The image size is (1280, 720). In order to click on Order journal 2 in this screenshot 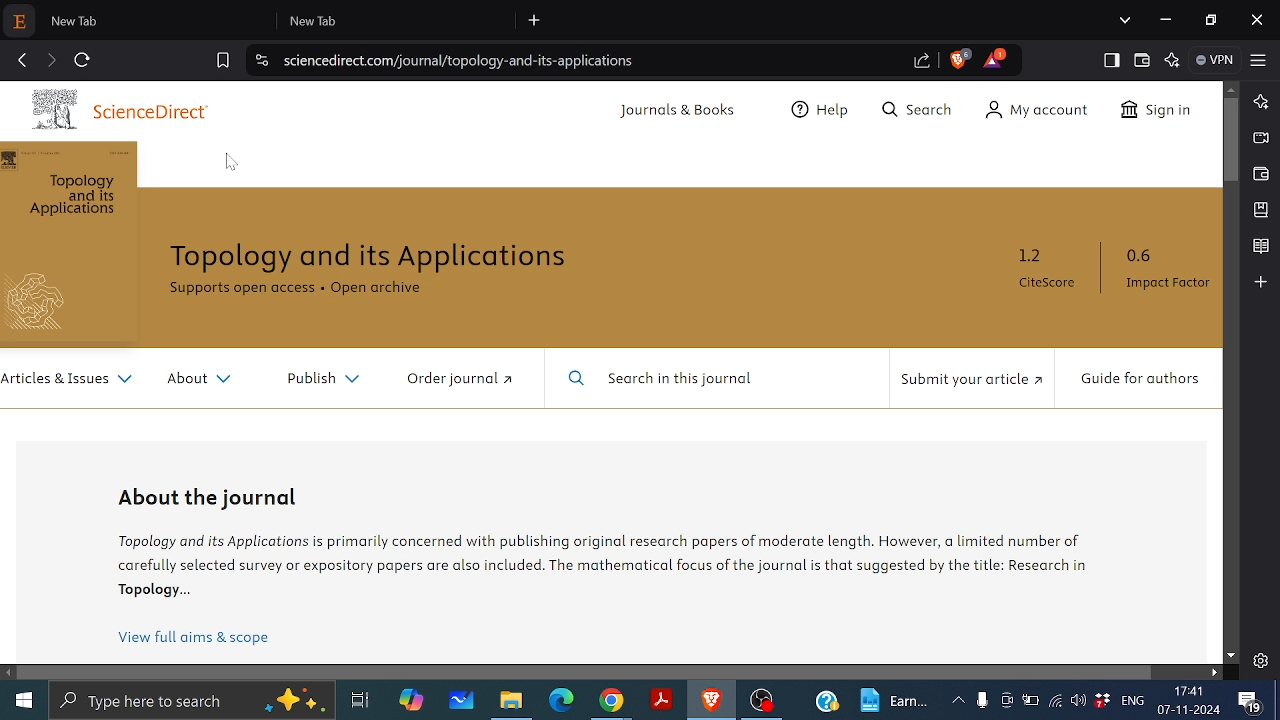, I will do `click(457, 378)`.